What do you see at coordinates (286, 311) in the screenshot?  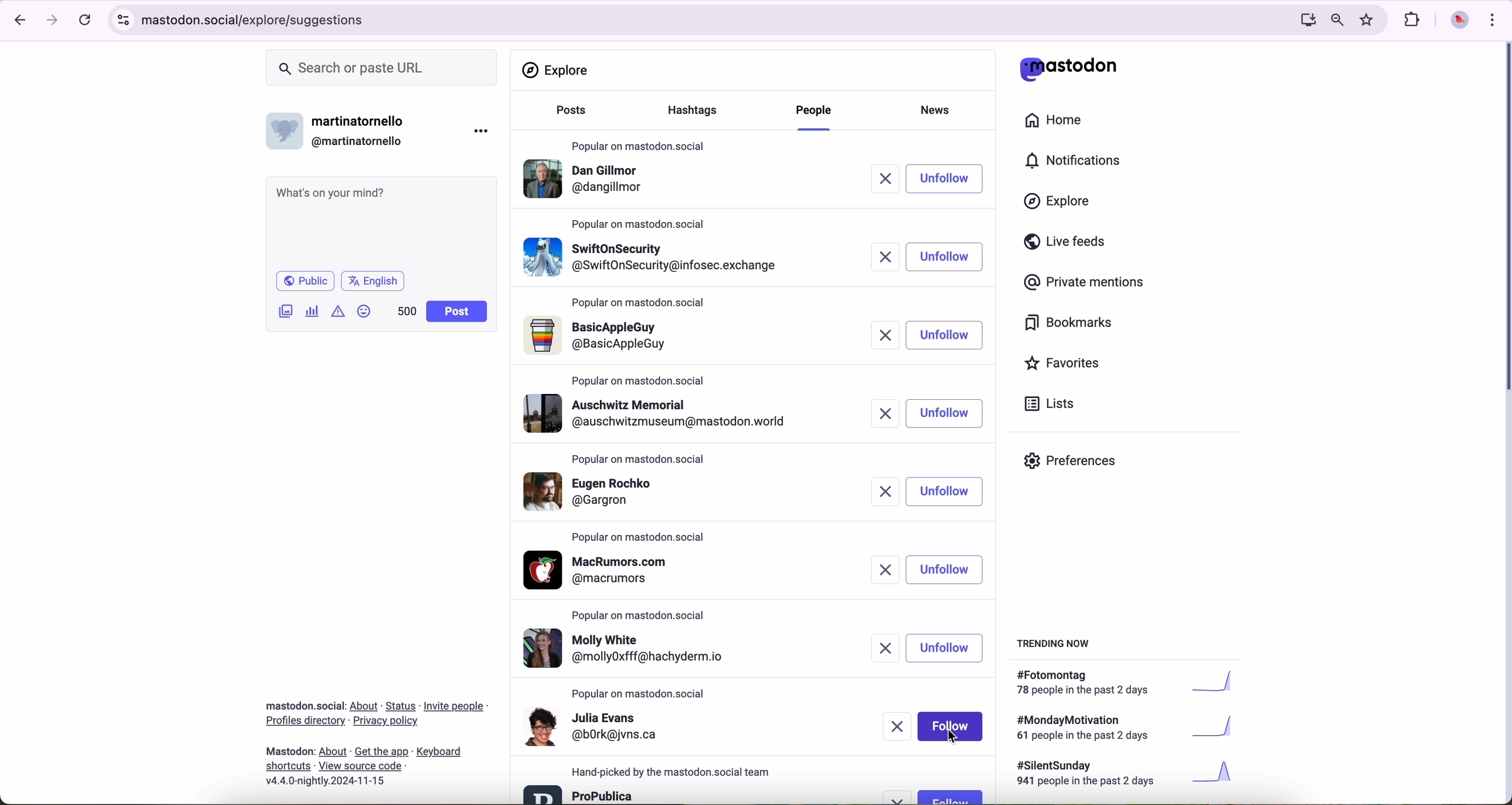 I see `attach image` at bounding box center [286, 311].